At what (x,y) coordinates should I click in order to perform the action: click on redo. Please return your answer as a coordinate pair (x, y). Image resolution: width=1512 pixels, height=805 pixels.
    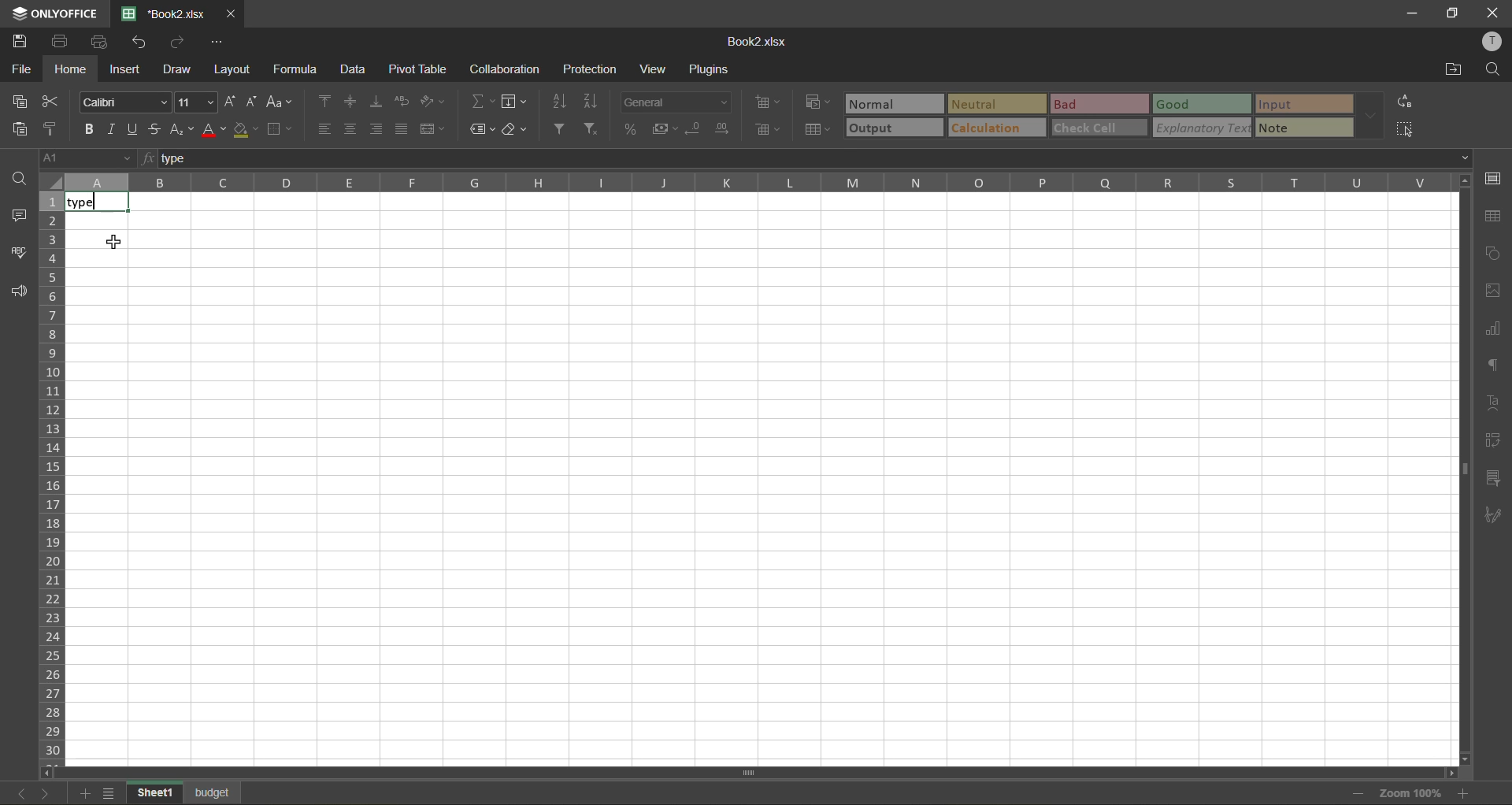
    Looking at the image, I should click on (178, 42).